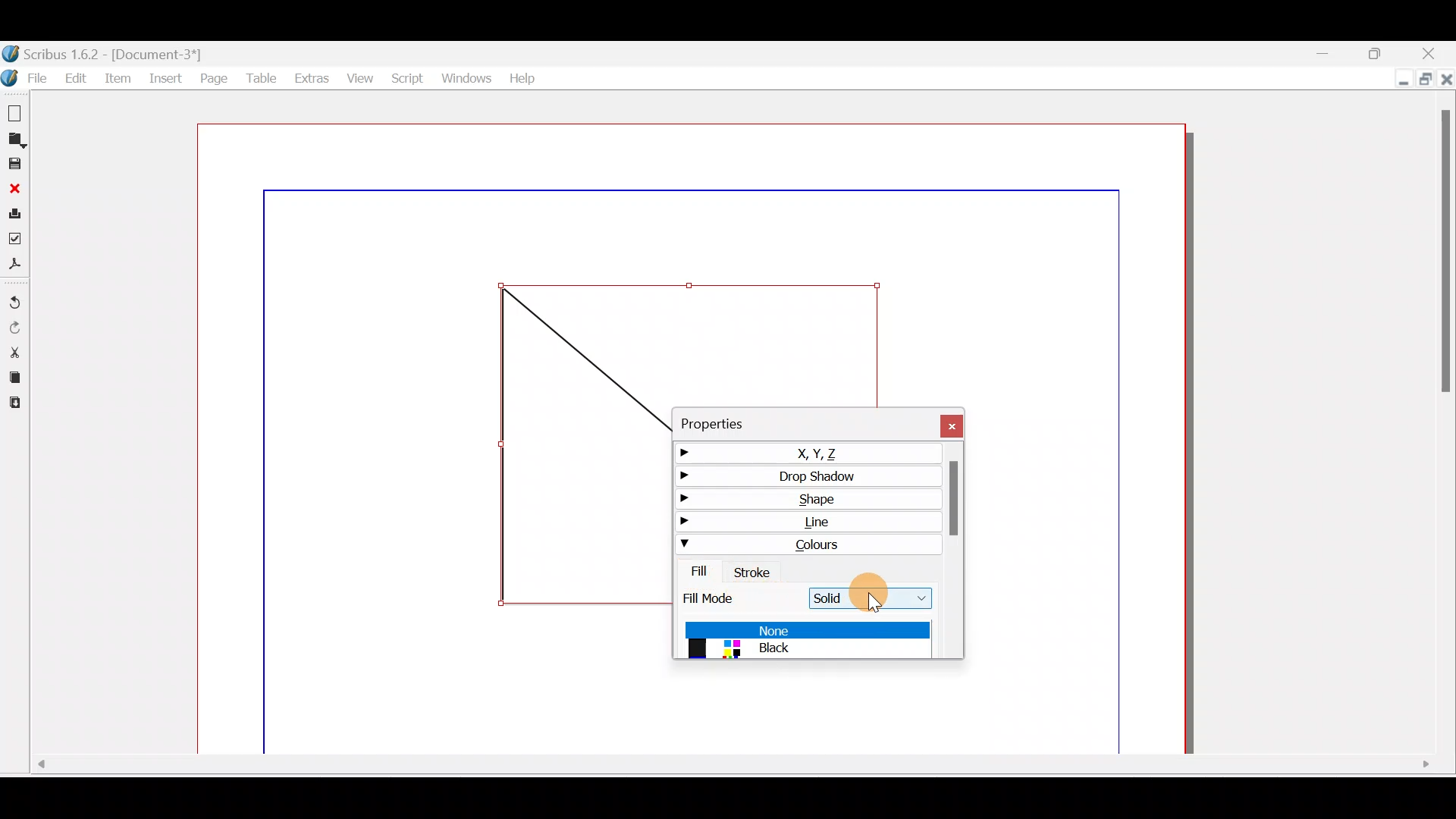 Image resolution: width=1456 pixels, height=819 pixels. I want to click on Stroke, so click(755, 570).